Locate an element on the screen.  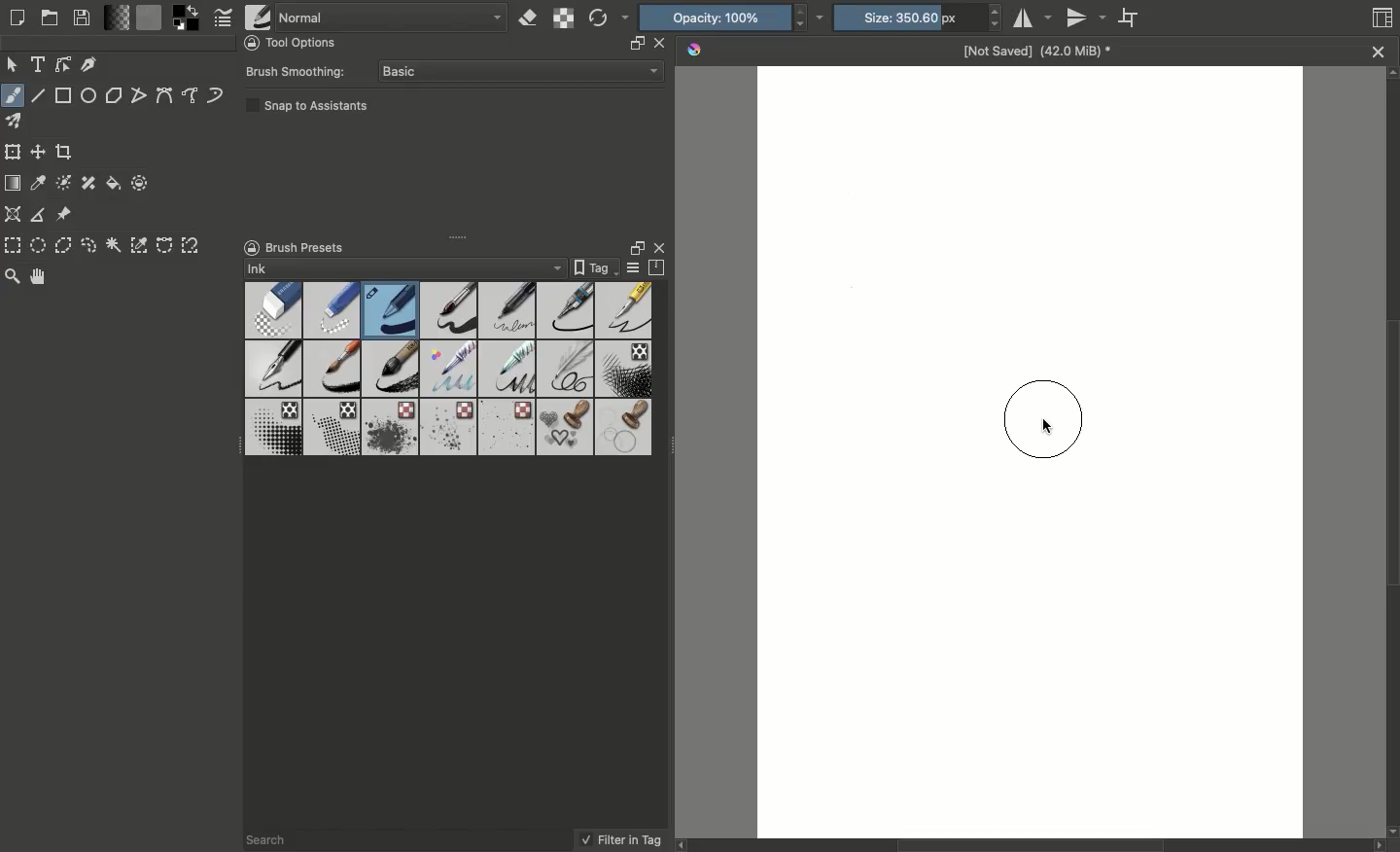
Brushes is located at coordinates (449, 370).